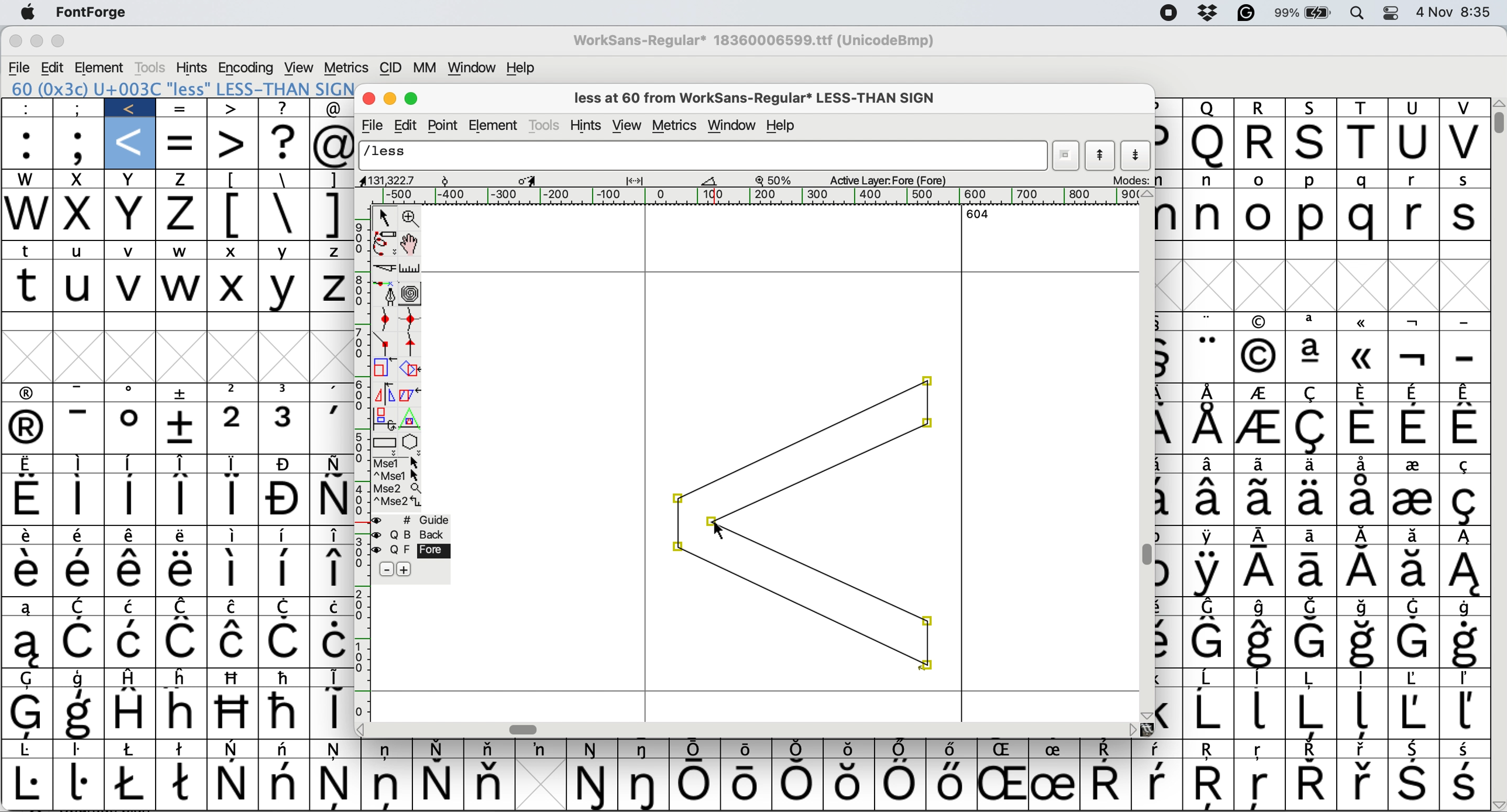  What do you see at coordinates (287, 749) in the screenshot?
I see `Symbol` at bounding box center [287, 749].